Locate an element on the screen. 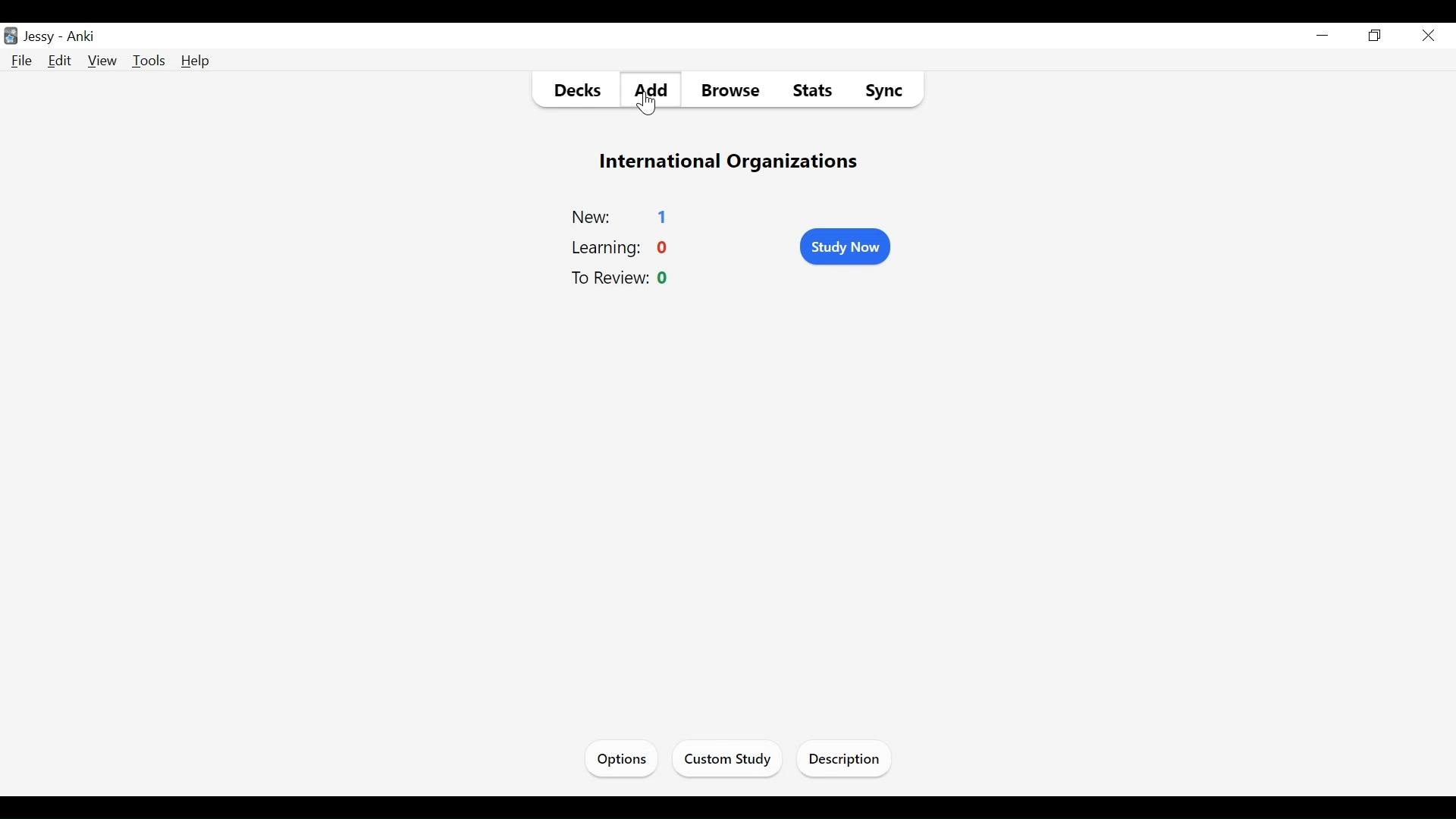  User Name is located at coordinates (39, 37).